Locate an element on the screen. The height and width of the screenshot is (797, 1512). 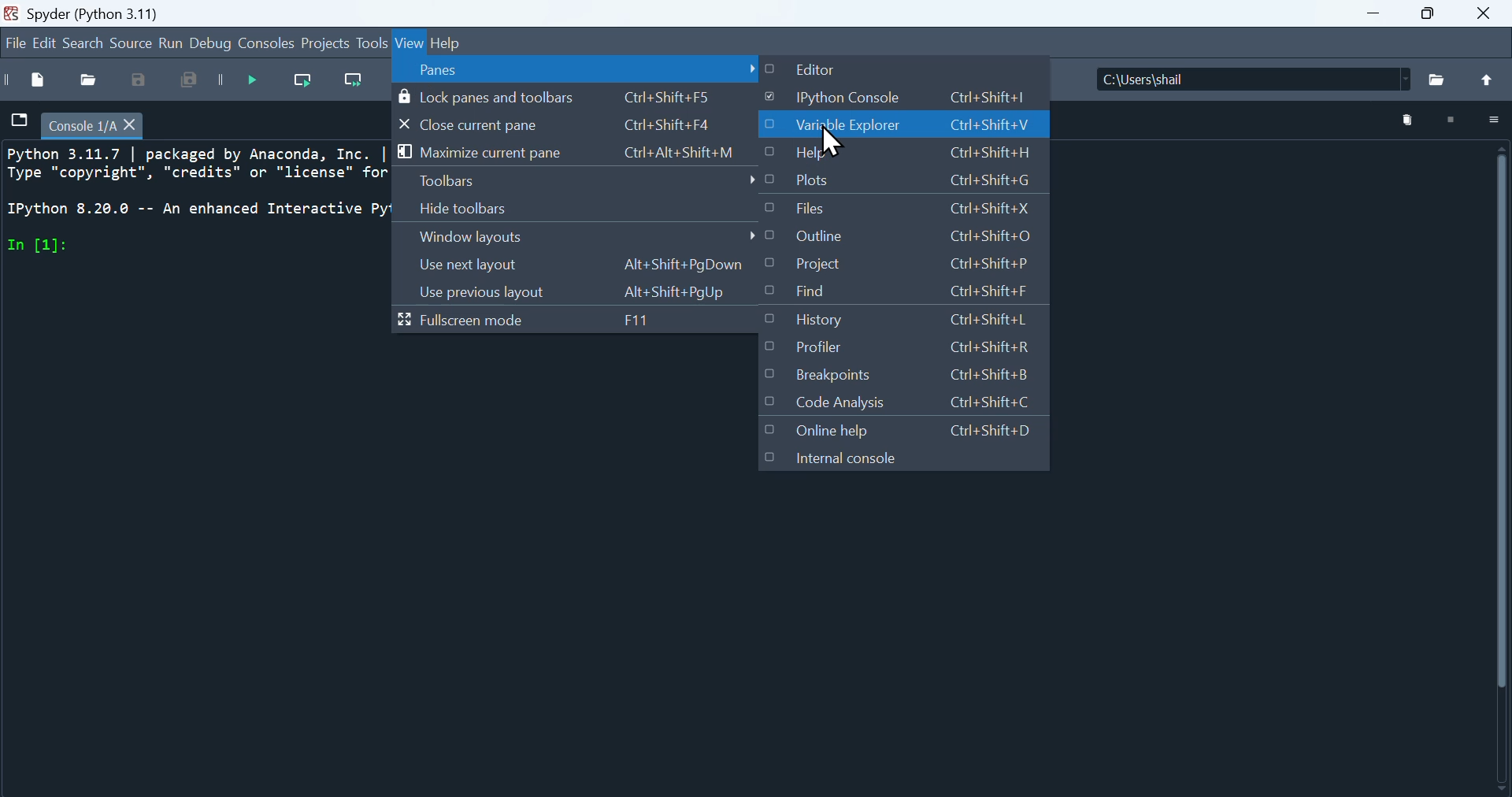
open file is located at coordinates (89, 78).